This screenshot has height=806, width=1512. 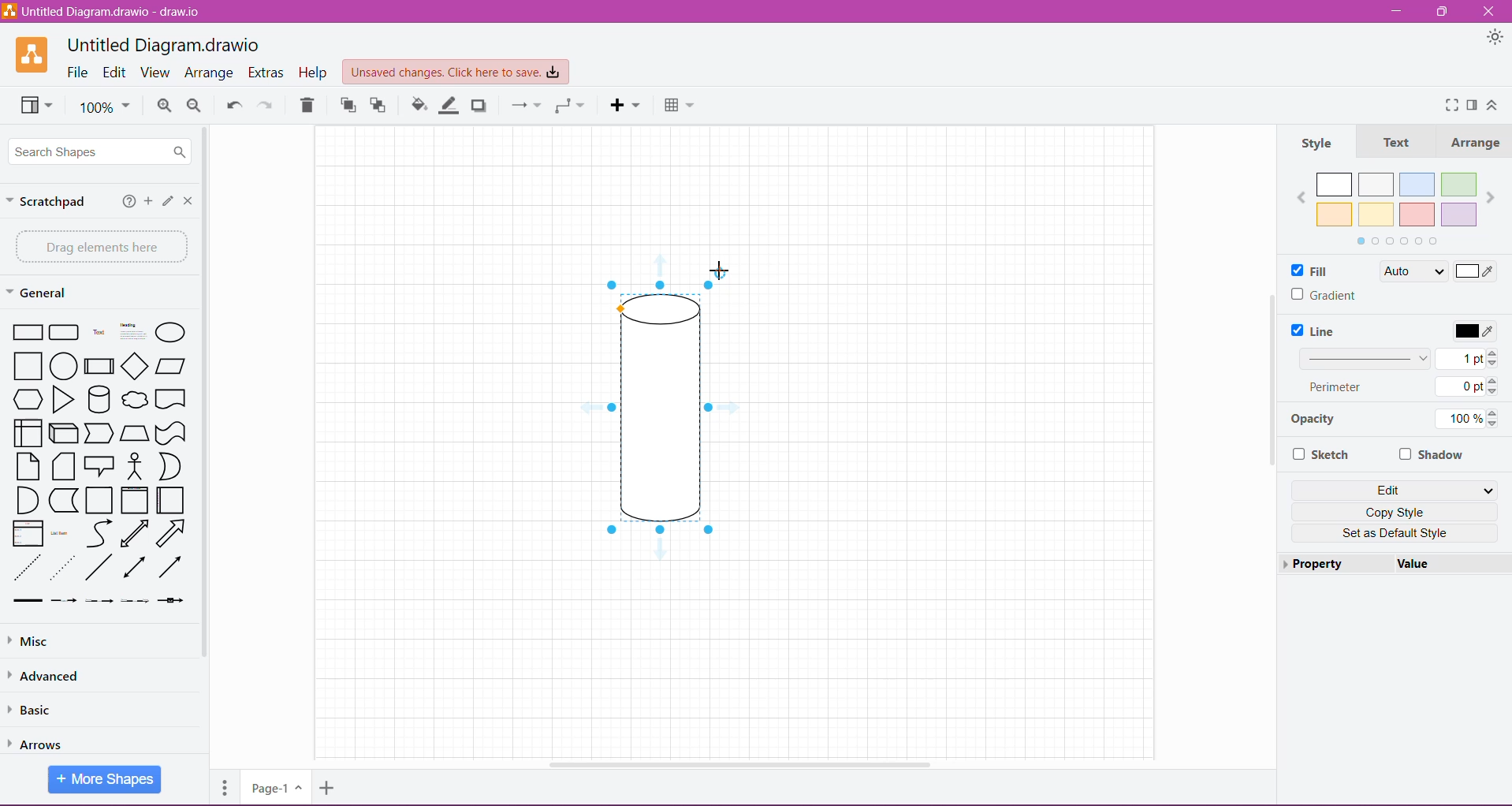 I want to click on Untitled Diagram.draw.io, so click(x=162, y=43).